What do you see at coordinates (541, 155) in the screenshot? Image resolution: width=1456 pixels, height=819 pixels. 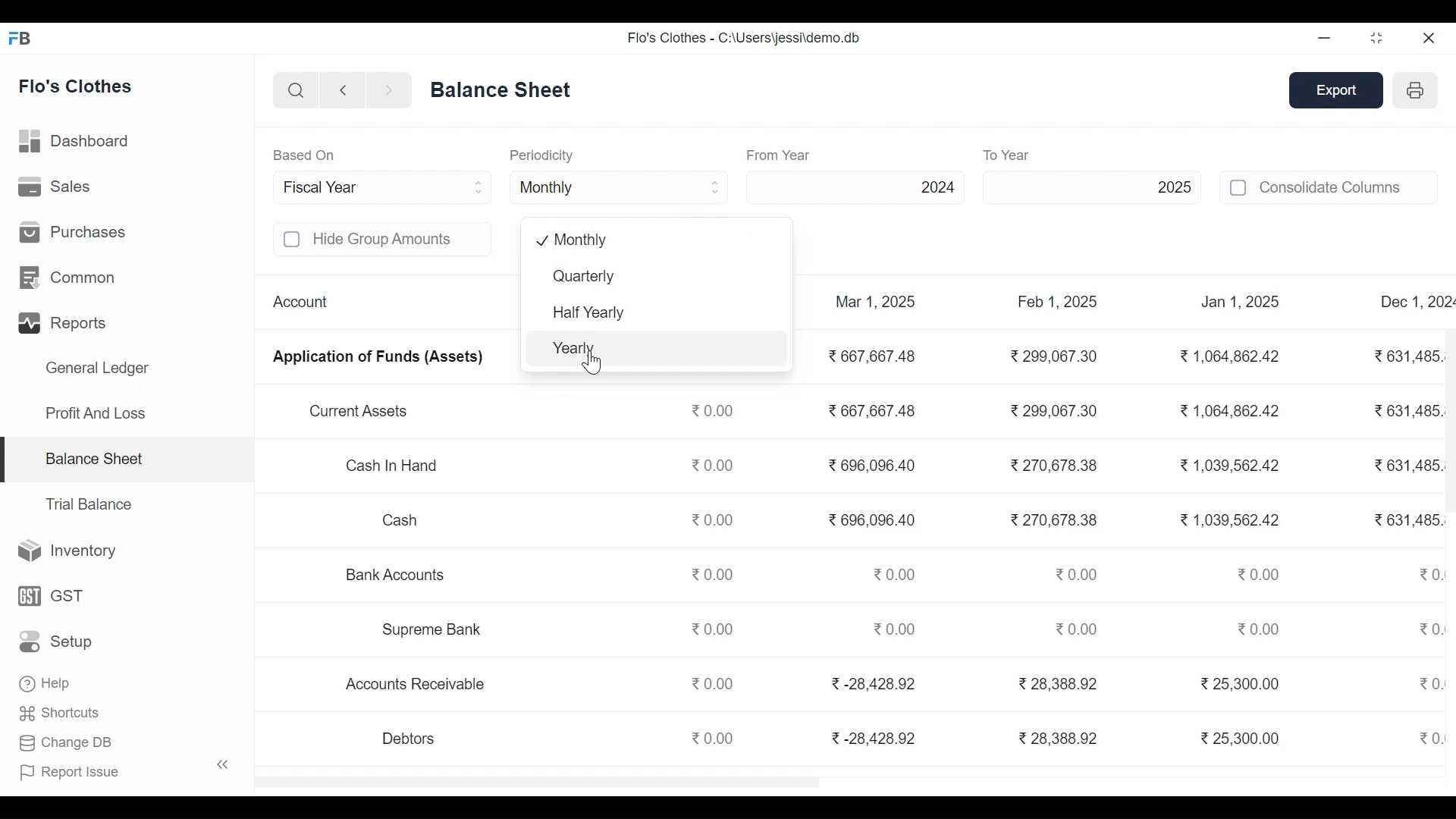 I see `Periodicity` at bounding box center [541, 155].